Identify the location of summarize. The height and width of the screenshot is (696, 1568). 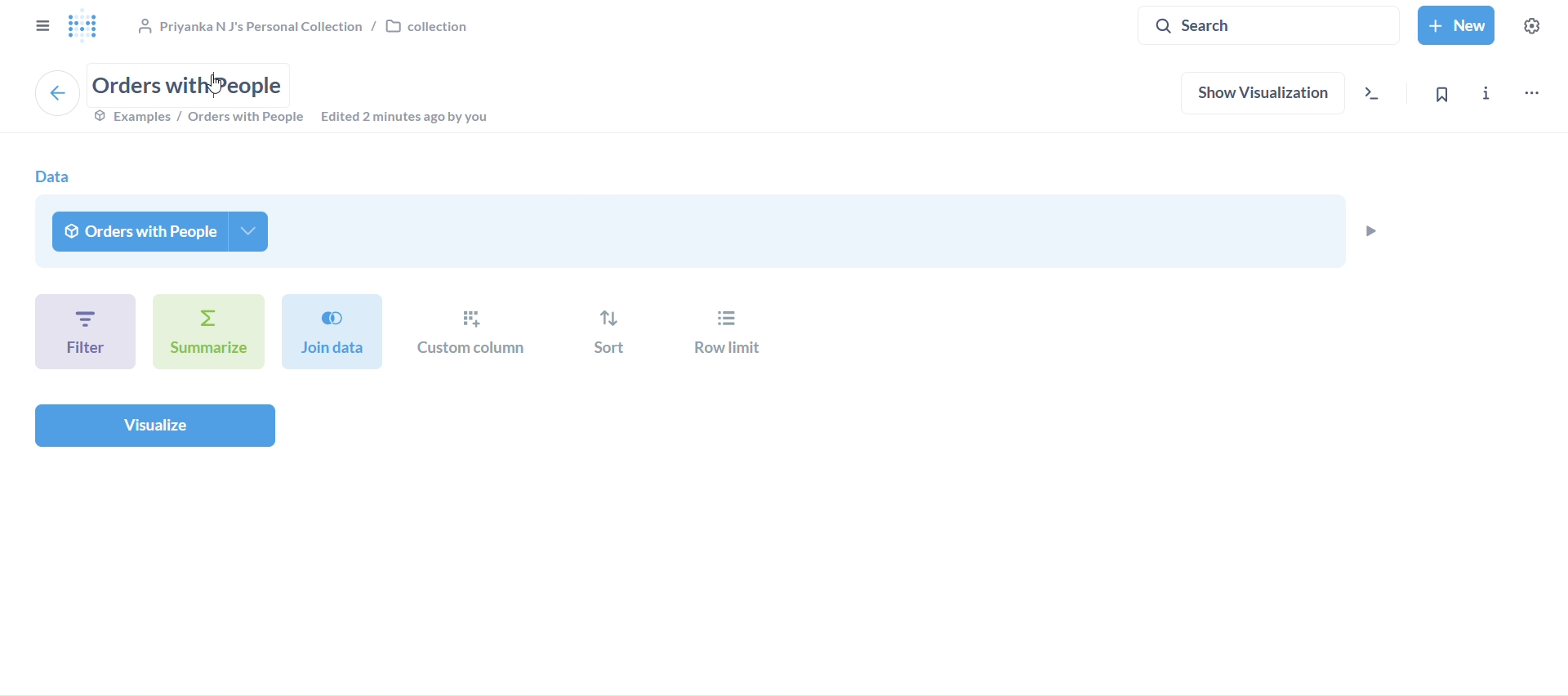
(208, 332).